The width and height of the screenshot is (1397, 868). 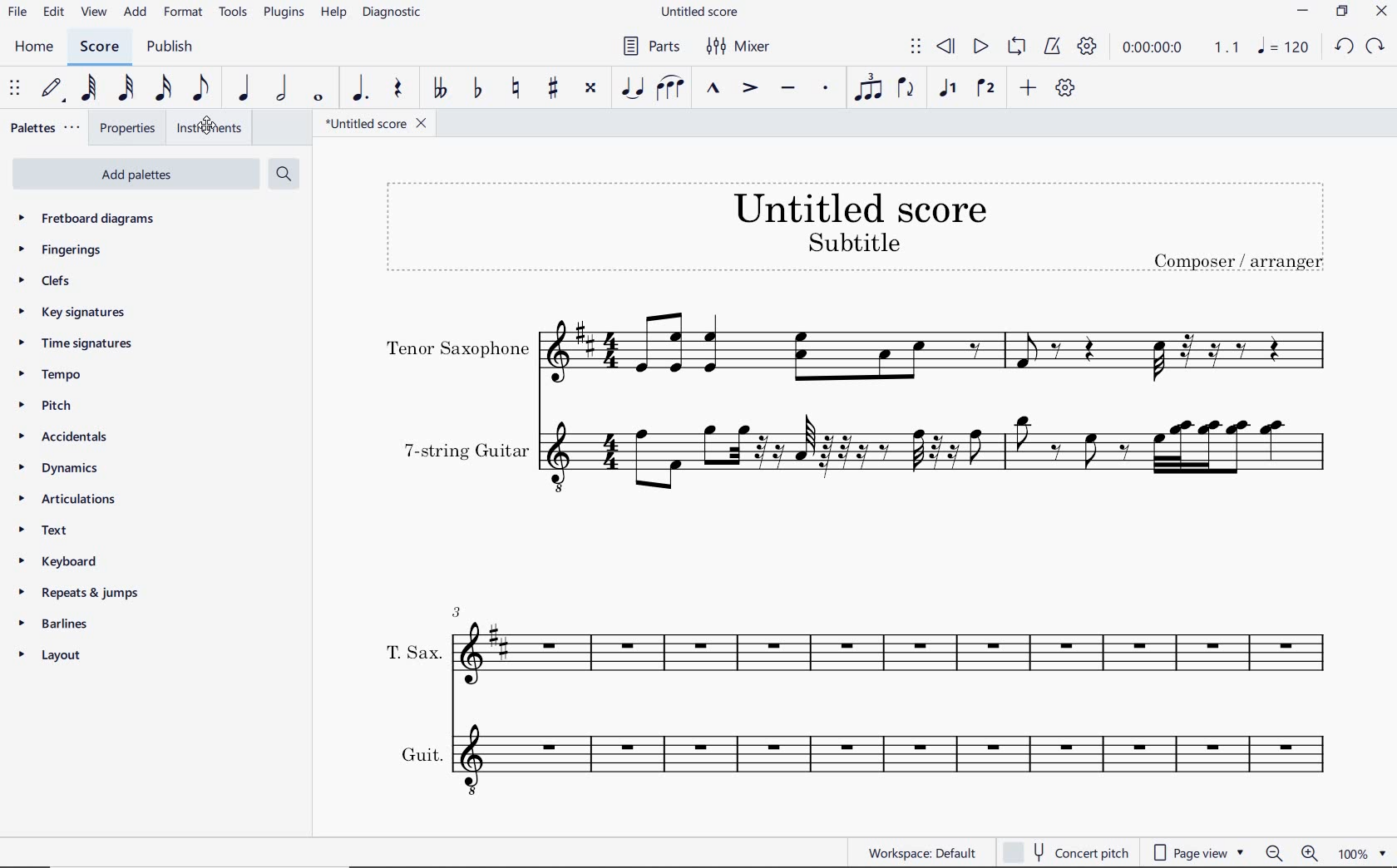 I want to click on SEARCH PALETTES, so click(x=282, y=175).